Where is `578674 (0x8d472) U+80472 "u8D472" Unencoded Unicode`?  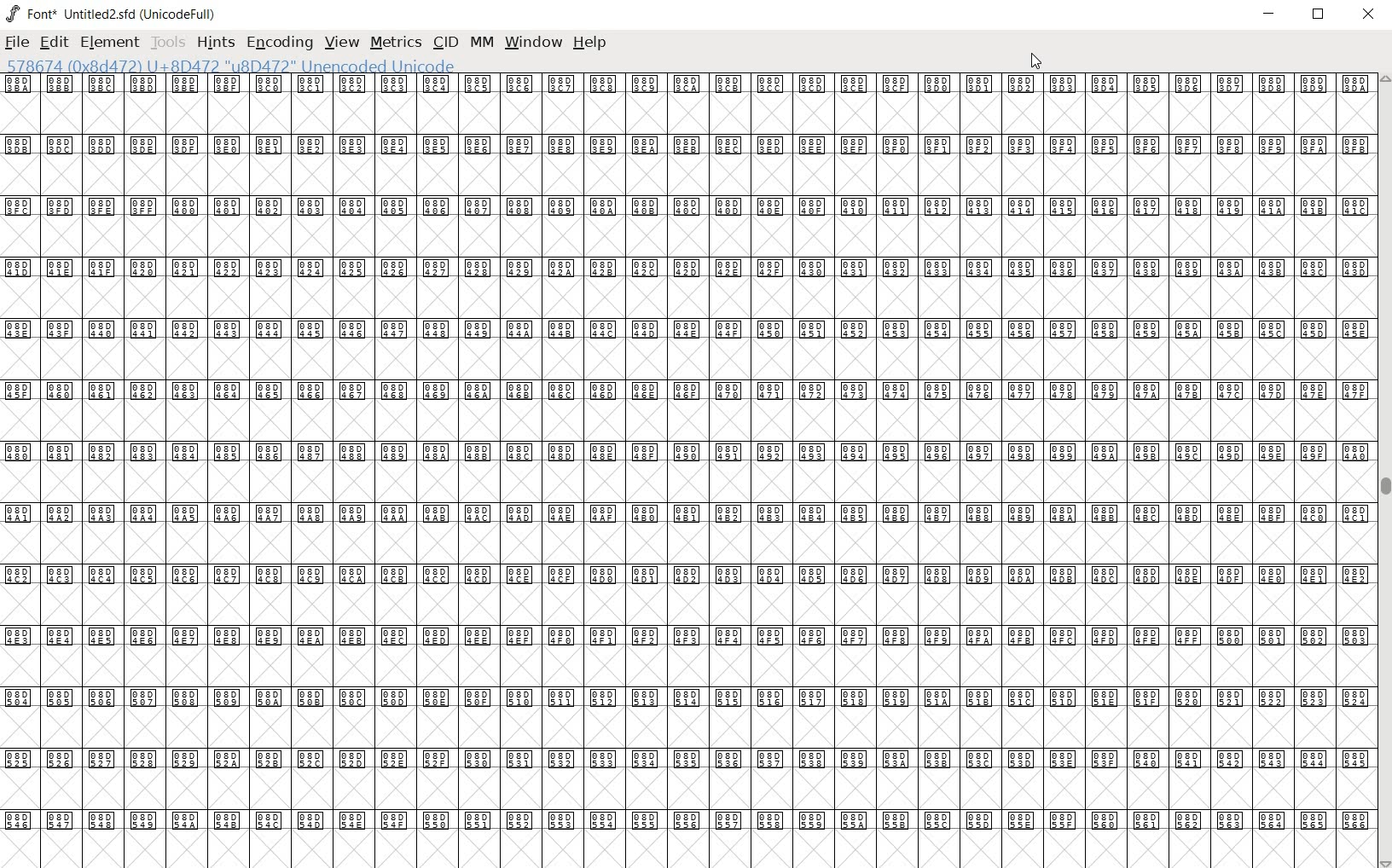
578674 (0x8d472) U+80472 "u8D472" Unencoded Unicode is located at coordinates (232, 67).